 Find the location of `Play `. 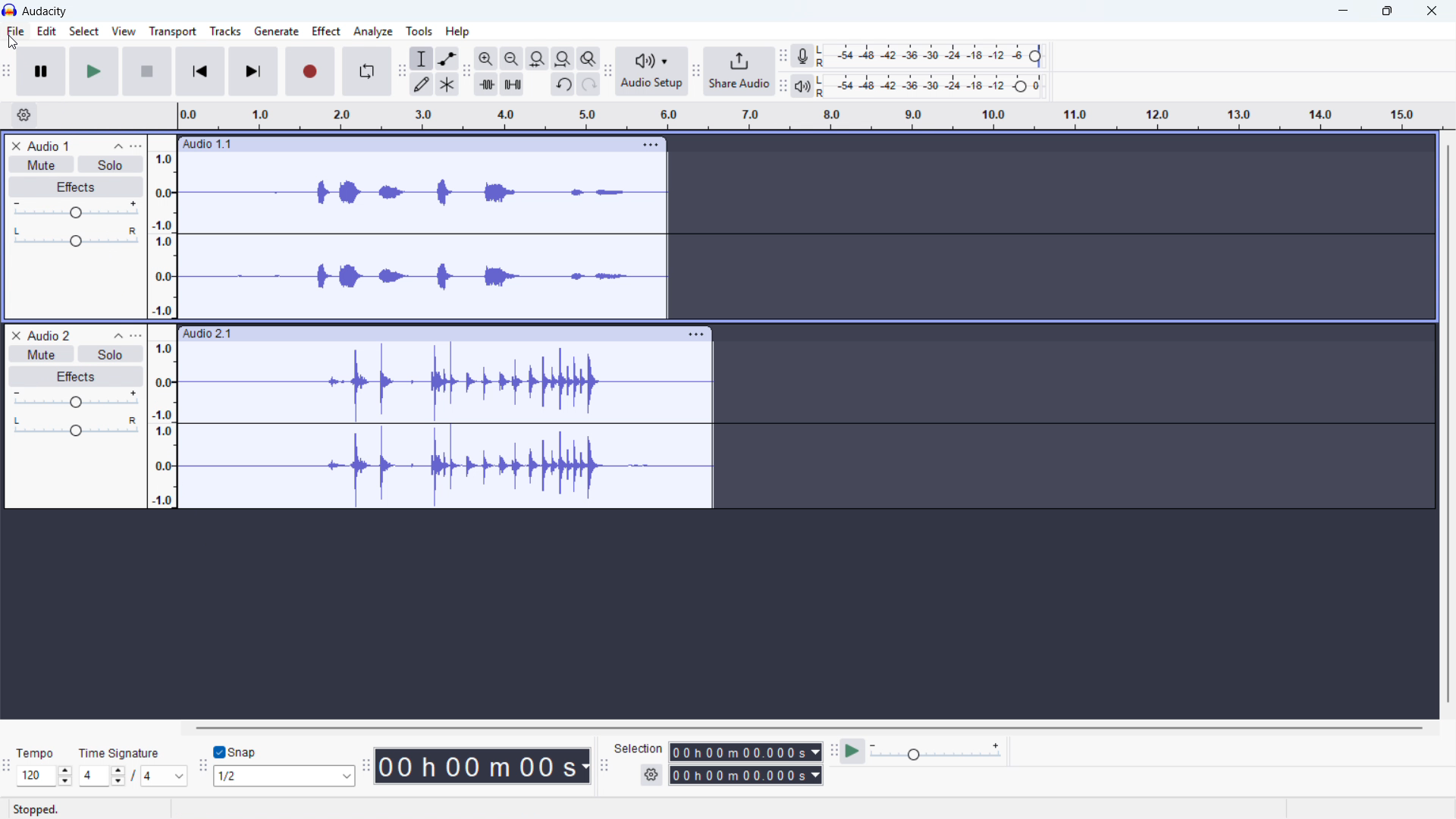

Play  is located at coordinates (95, 71).